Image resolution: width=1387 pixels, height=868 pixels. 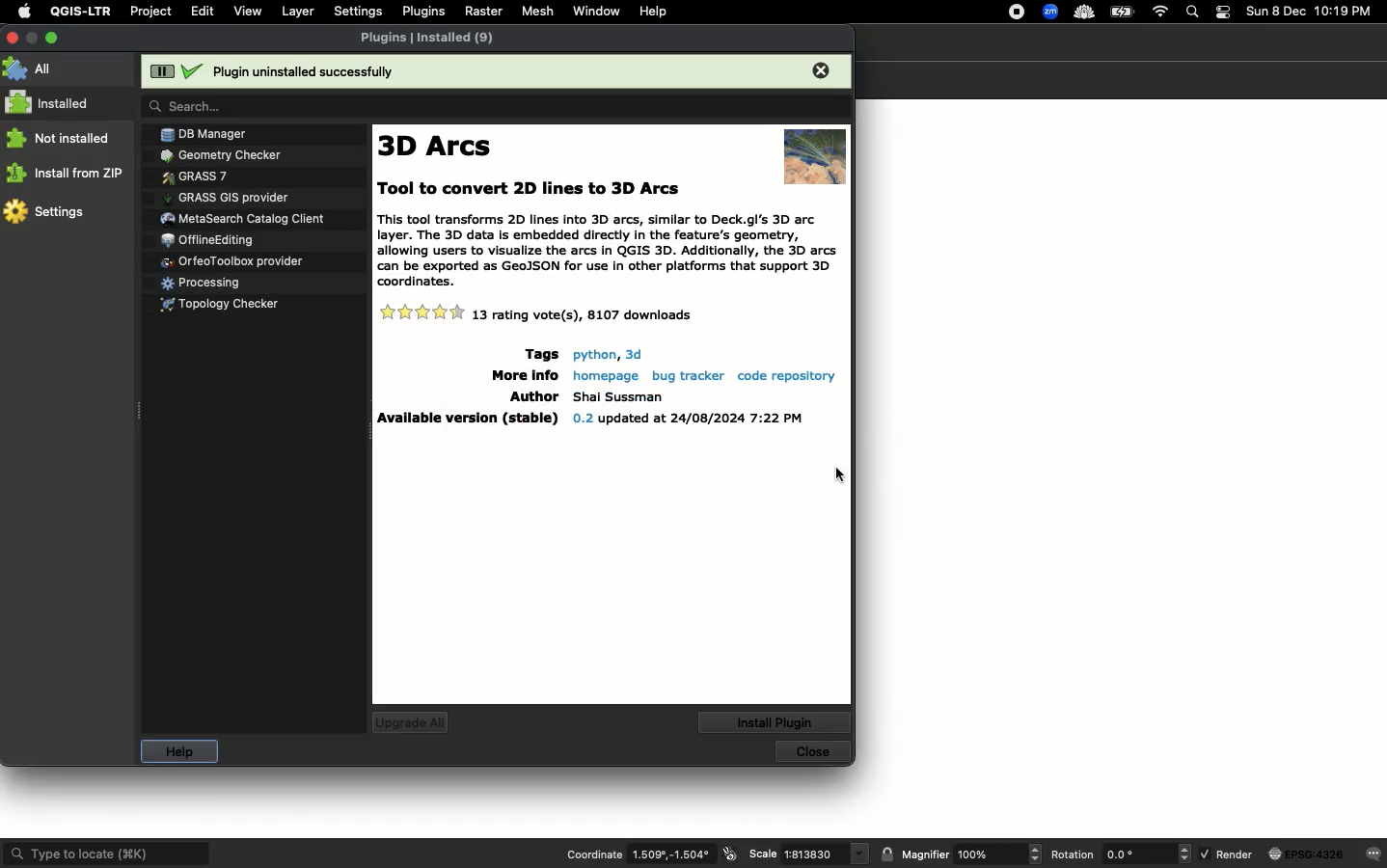 I want to click on Install from ZP, so click(x=68, y=172).